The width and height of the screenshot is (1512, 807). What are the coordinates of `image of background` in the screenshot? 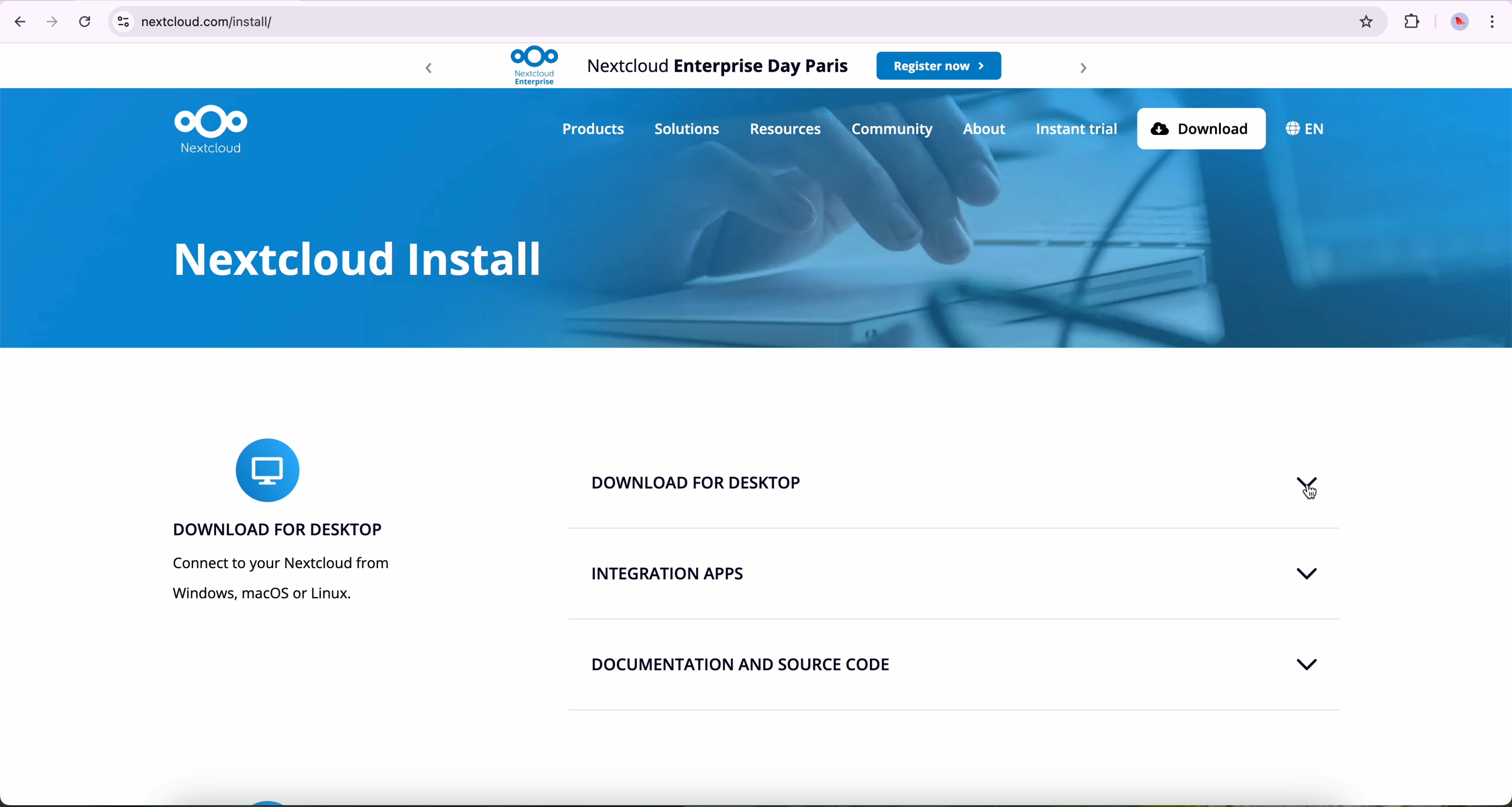 It's located at (815, 251).